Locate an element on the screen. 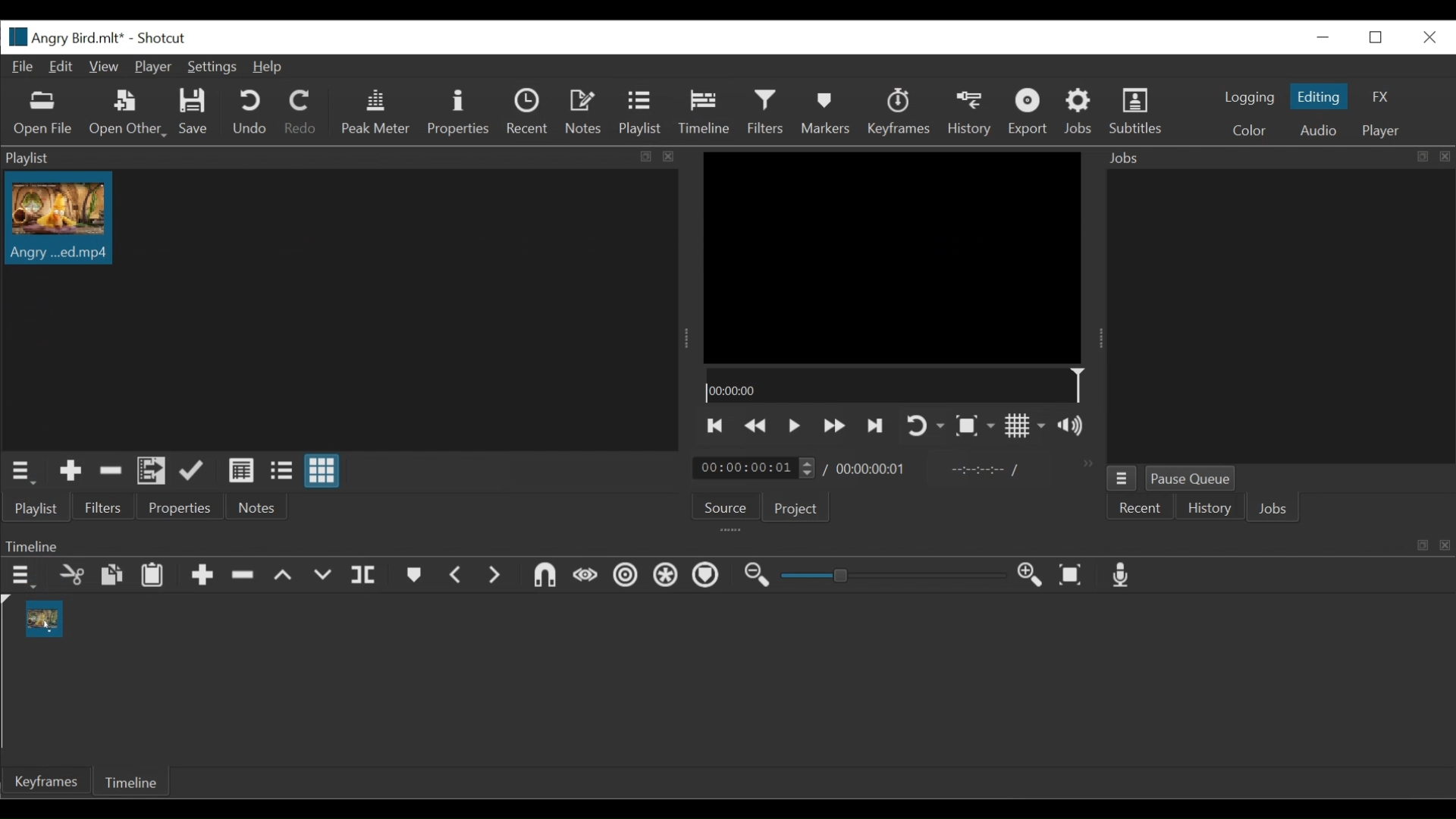 The height and width of the screenshot is (819, 1456). Timeline Panel is located at coordinates (729, 542).